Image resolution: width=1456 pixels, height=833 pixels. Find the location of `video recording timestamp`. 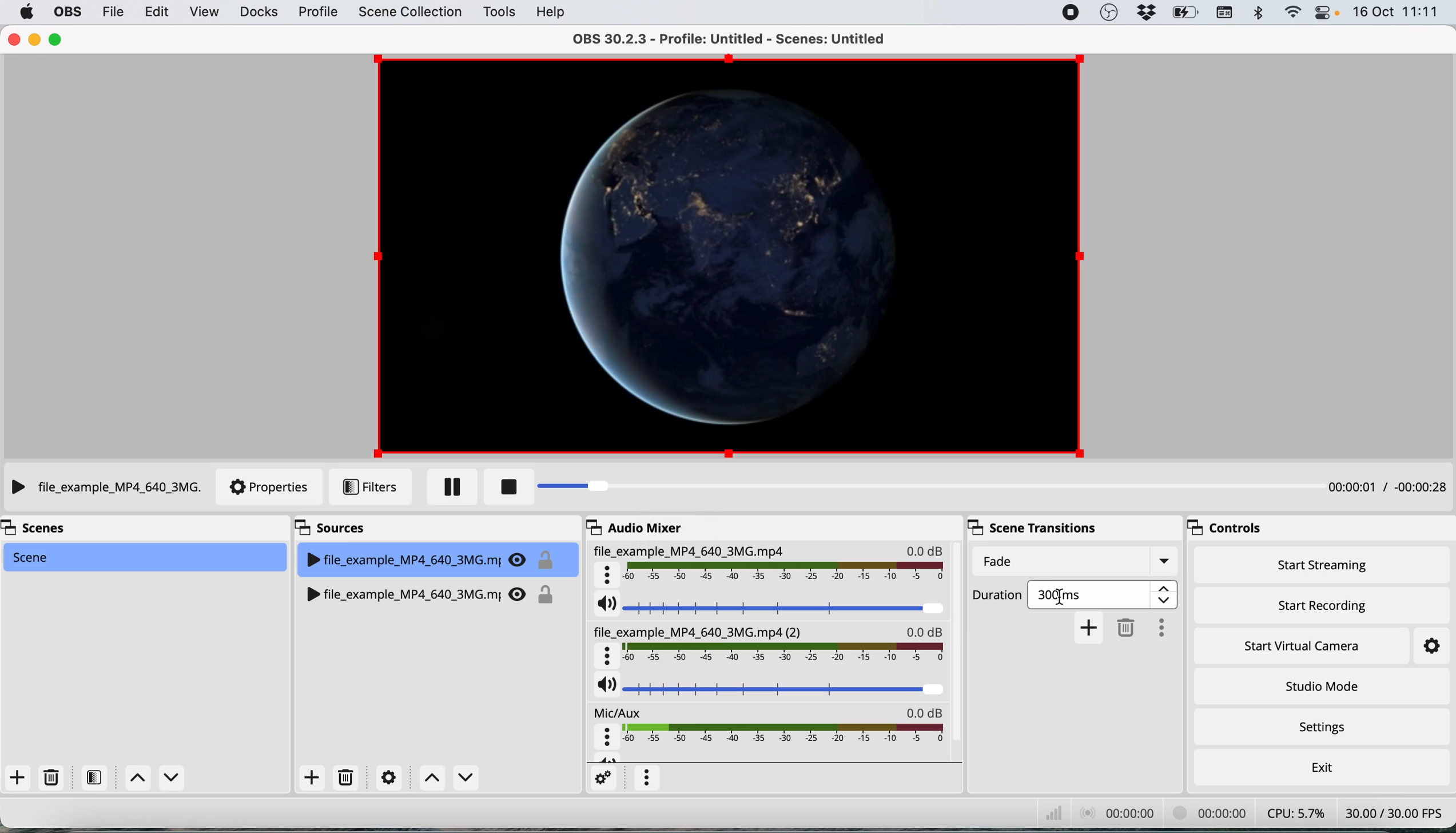

video recording timestamp is located at coordinates (1203, 813).